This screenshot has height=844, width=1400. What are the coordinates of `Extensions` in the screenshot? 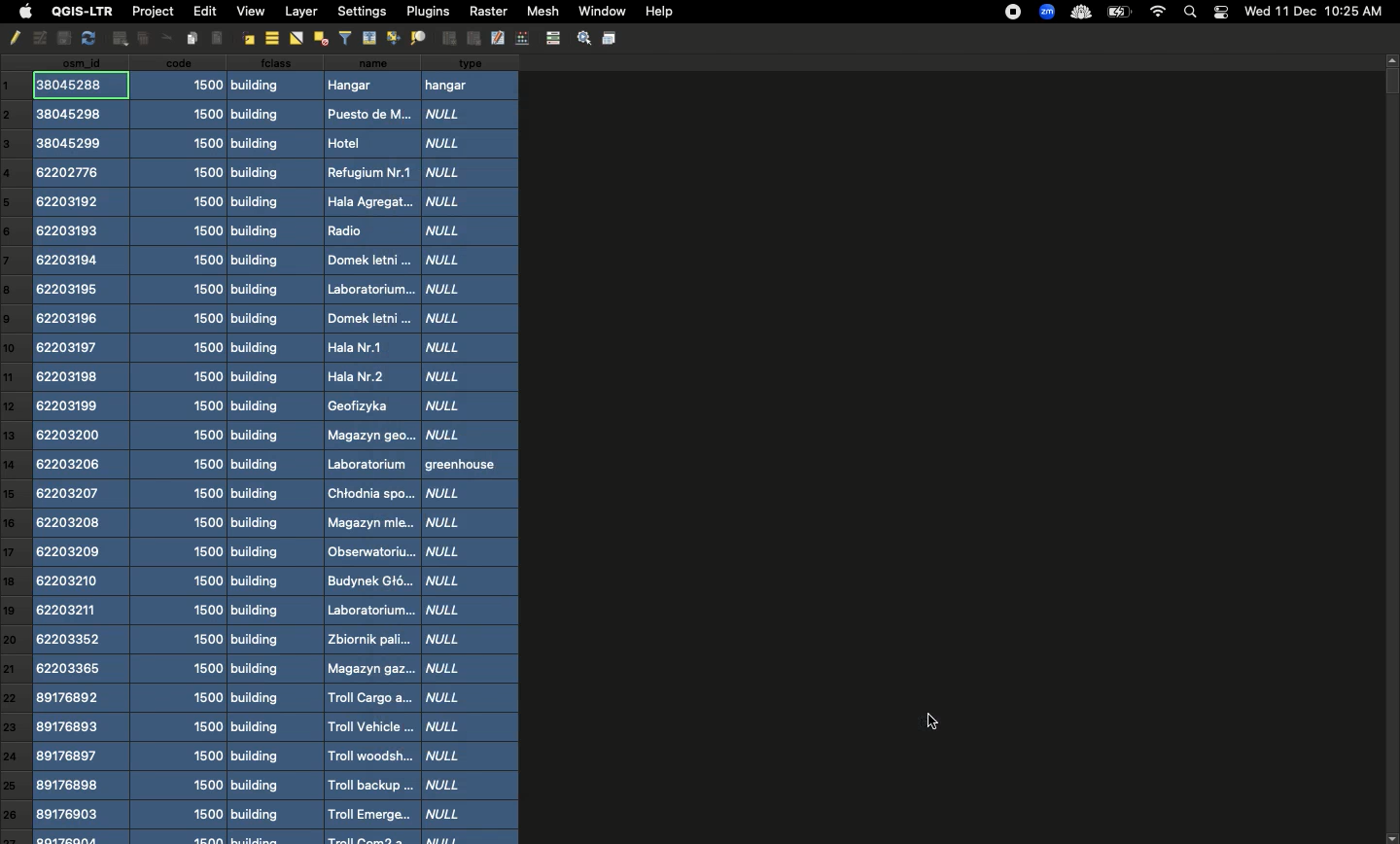 It's located at (1079, 12).